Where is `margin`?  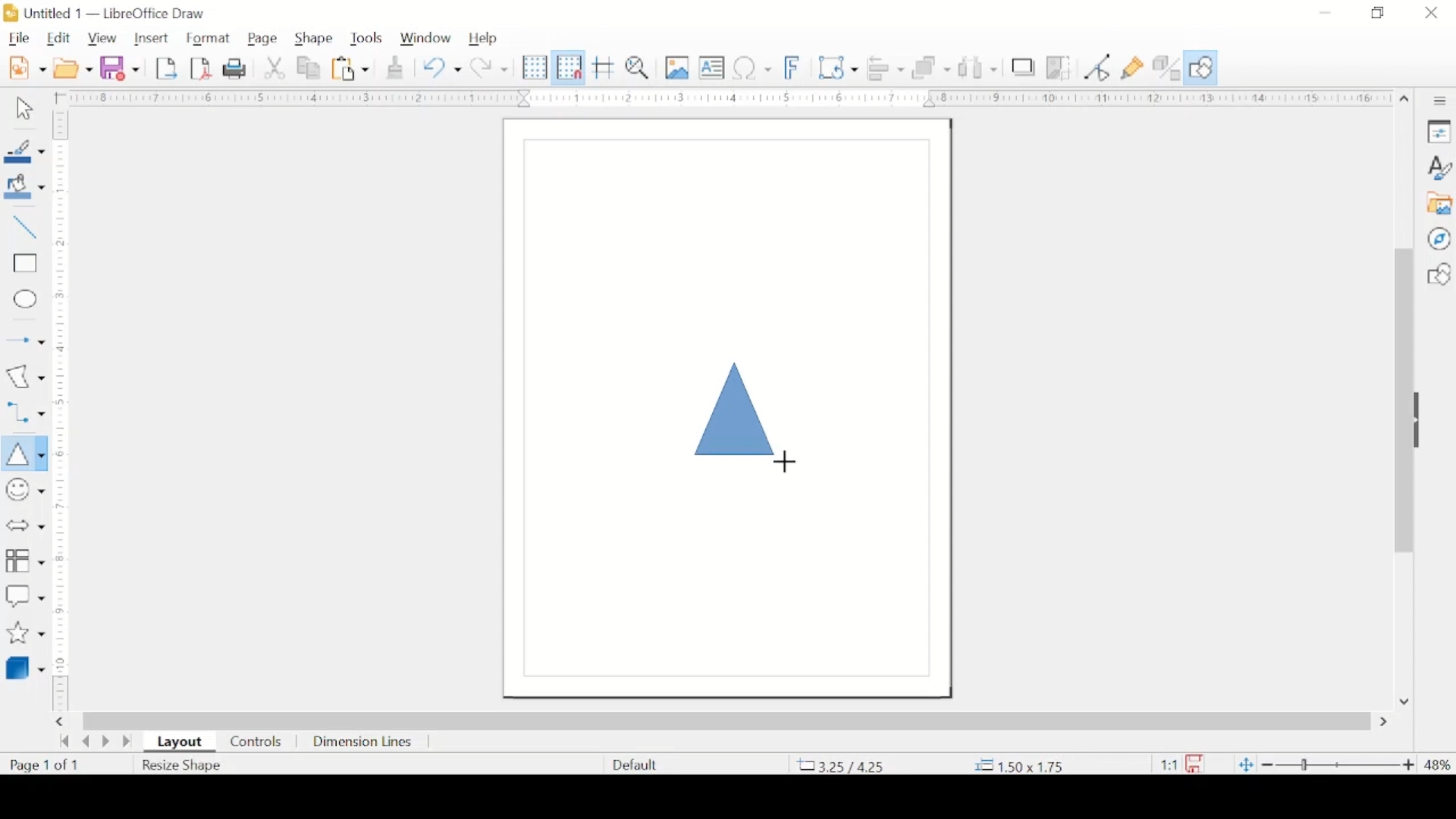
margin is located at coordinates (63, 413).